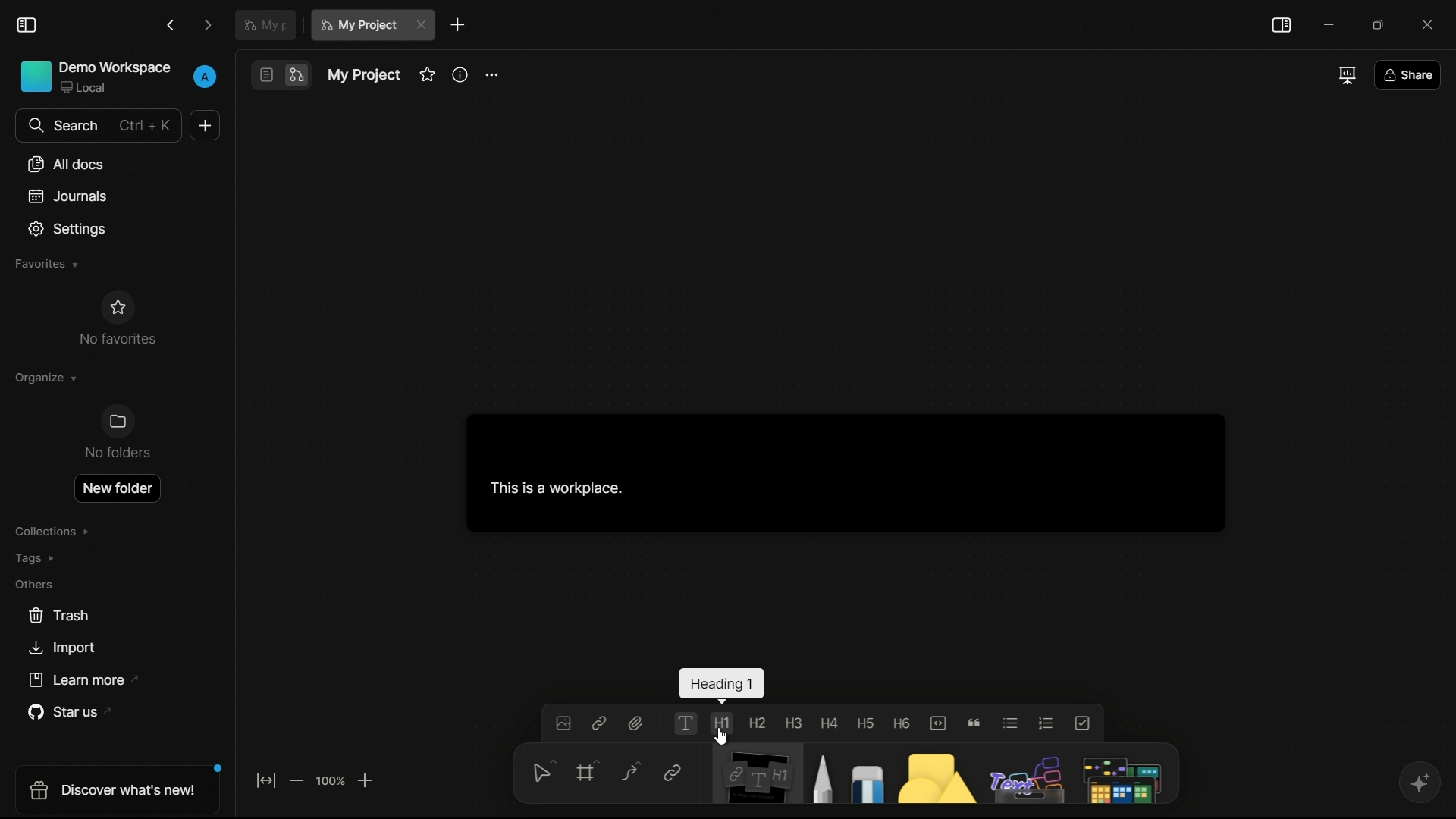 This screenshot has width=1456, height=819. Describe the element at coordinates (829, 723) in the screenshot. I see `heading 4` at that location.